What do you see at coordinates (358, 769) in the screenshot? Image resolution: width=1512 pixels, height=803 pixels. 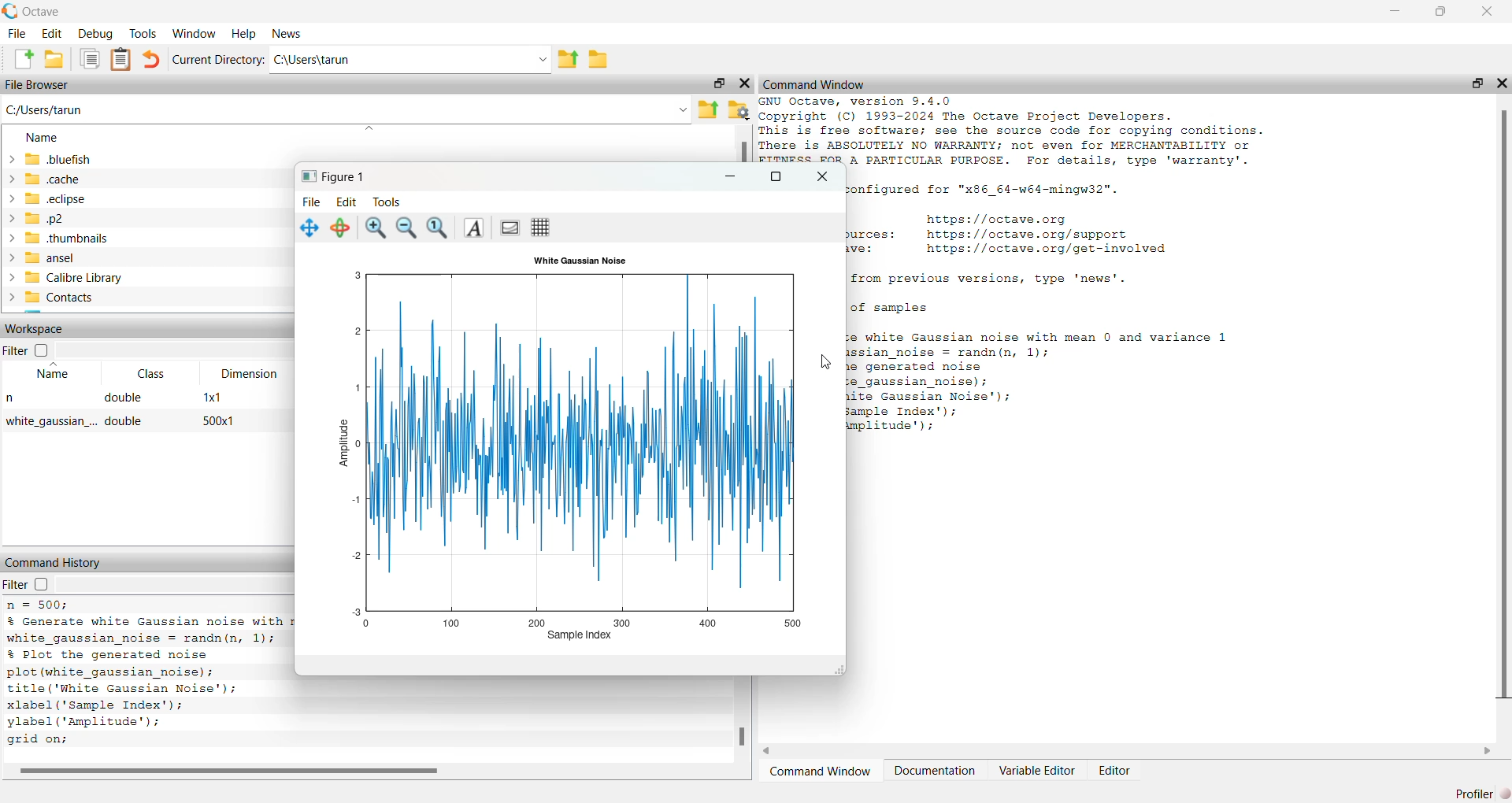 I see `horizontal scroll bar` at bounding box center [358, 769].